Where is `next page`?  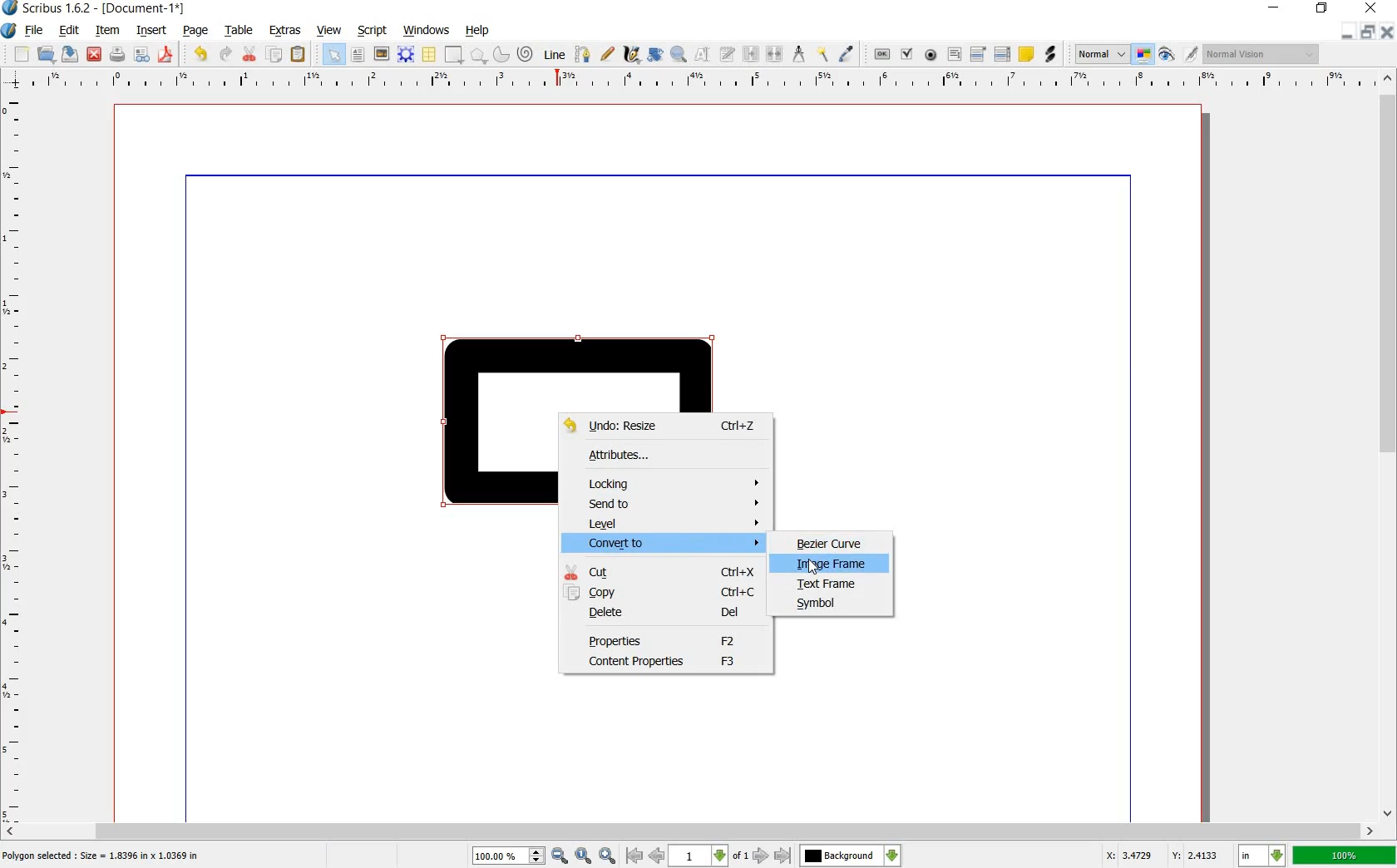 next page is located at coordinates (759, 856).